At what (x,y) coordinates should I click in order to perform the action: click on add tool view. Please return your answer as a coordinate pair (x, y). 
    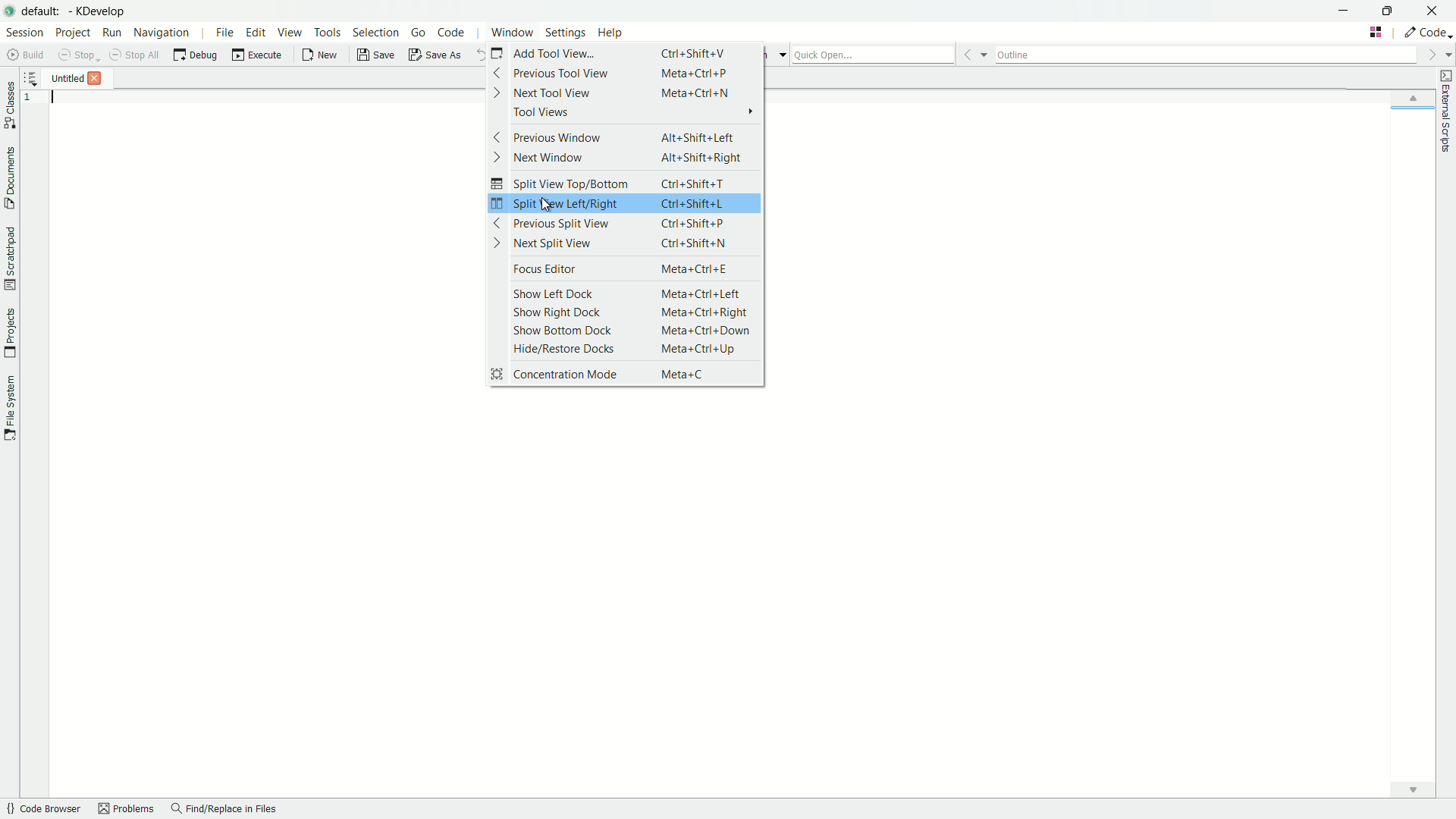
    Looking at the image, I should click on (565, 54).